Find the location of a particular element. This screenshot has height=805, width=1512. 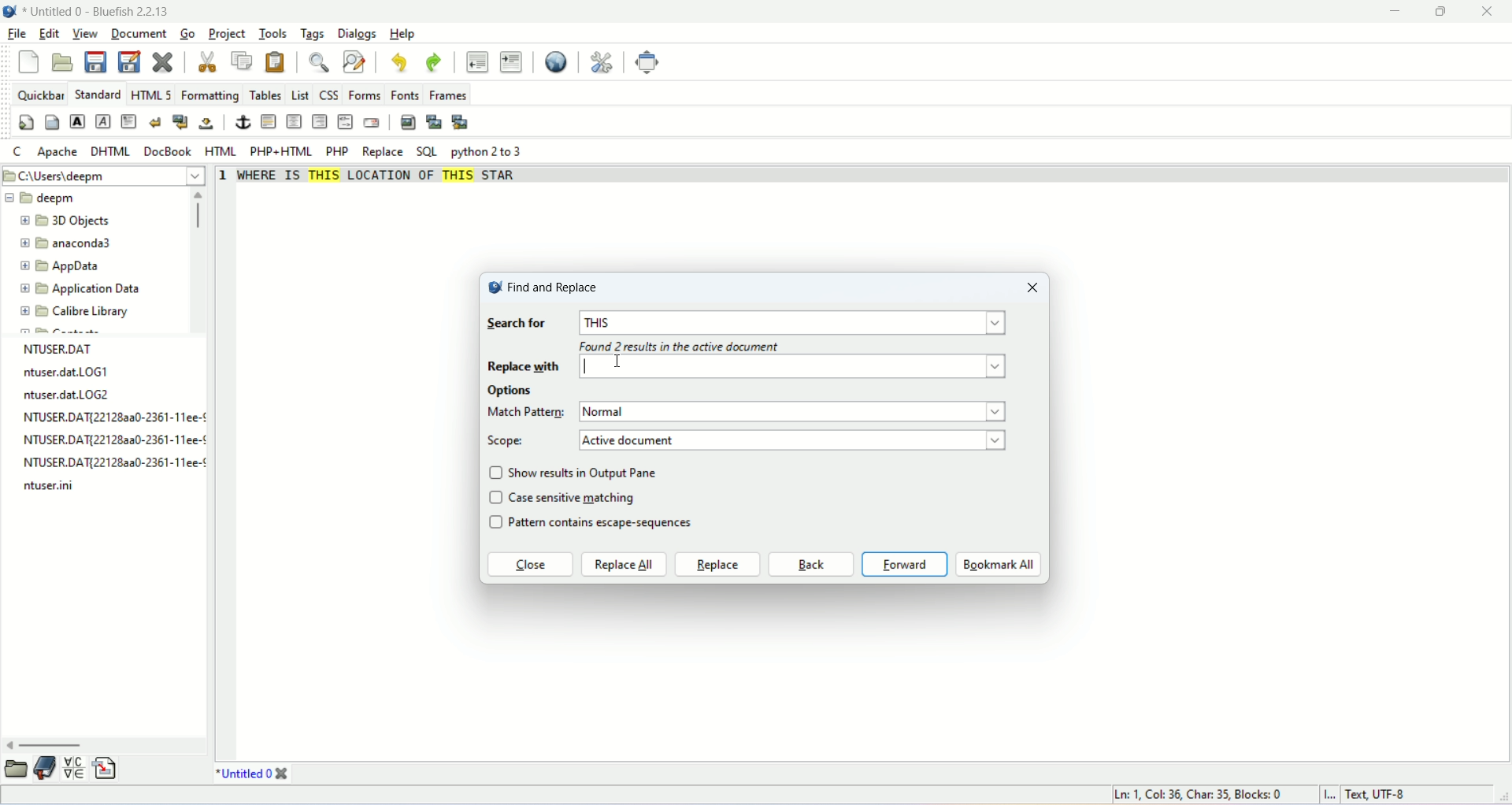

file name is located at coordinates (113, 465).